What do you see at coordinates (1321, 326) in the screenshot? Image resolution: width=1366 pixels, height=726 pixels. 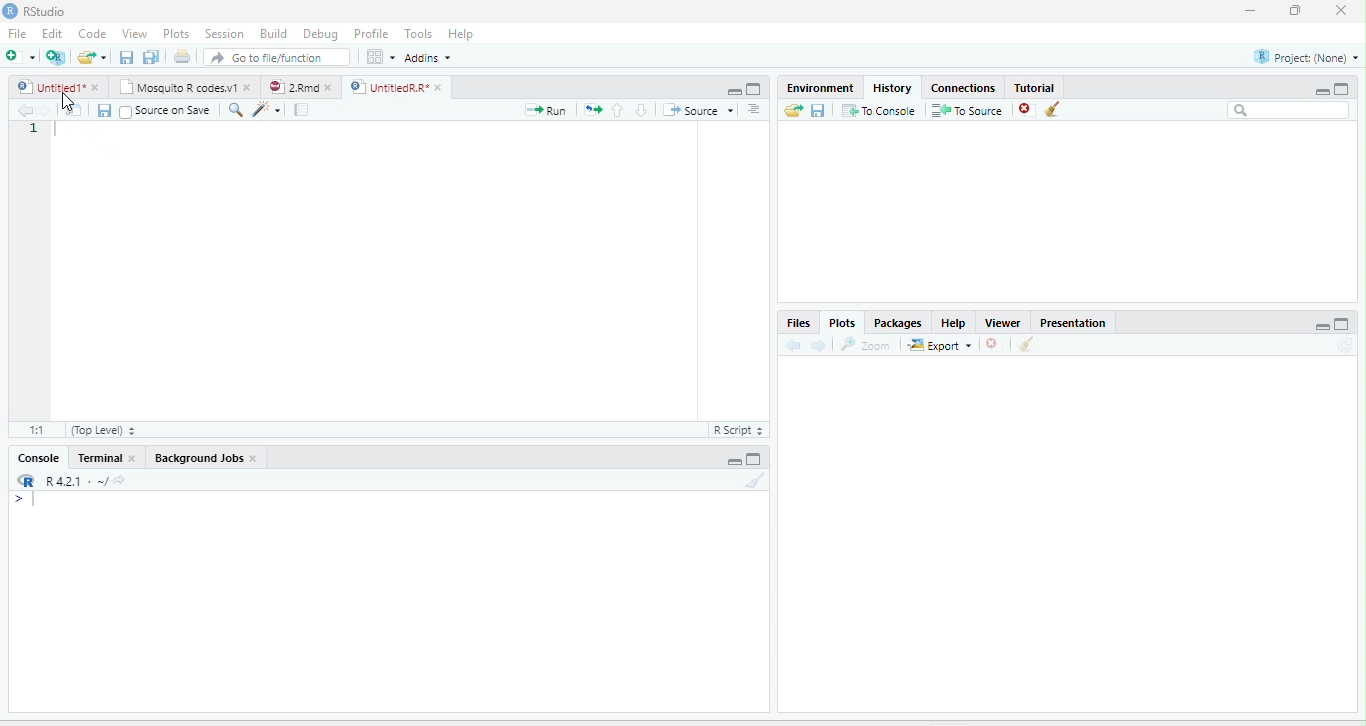 I see `Minimize` at bounding box center [1321, 326].